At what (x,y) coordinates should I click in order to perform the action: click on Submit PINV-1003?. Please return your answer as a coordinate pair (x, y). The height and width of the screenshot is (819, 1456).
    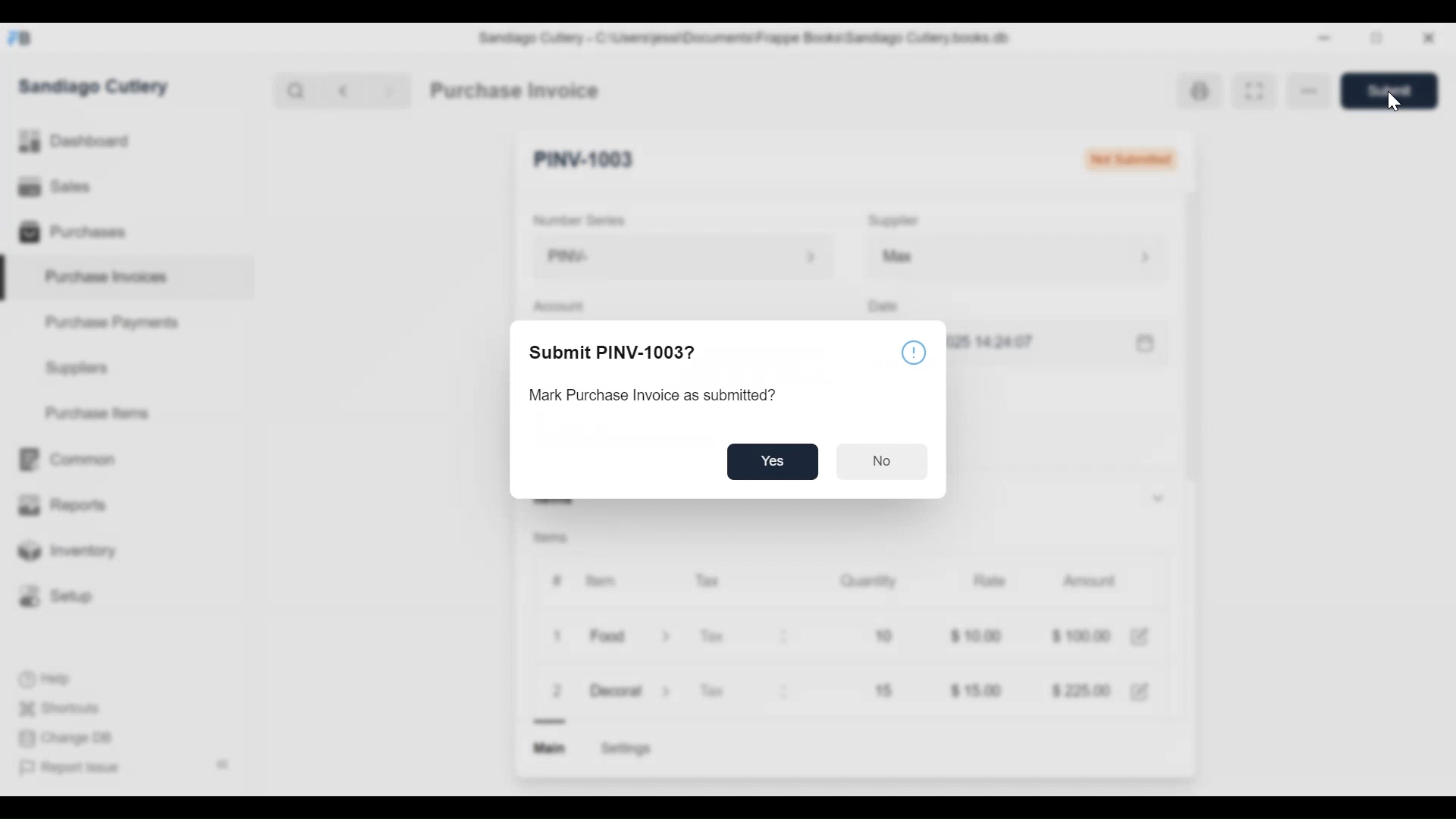
    Looking at the image, I should click on (612, 352).